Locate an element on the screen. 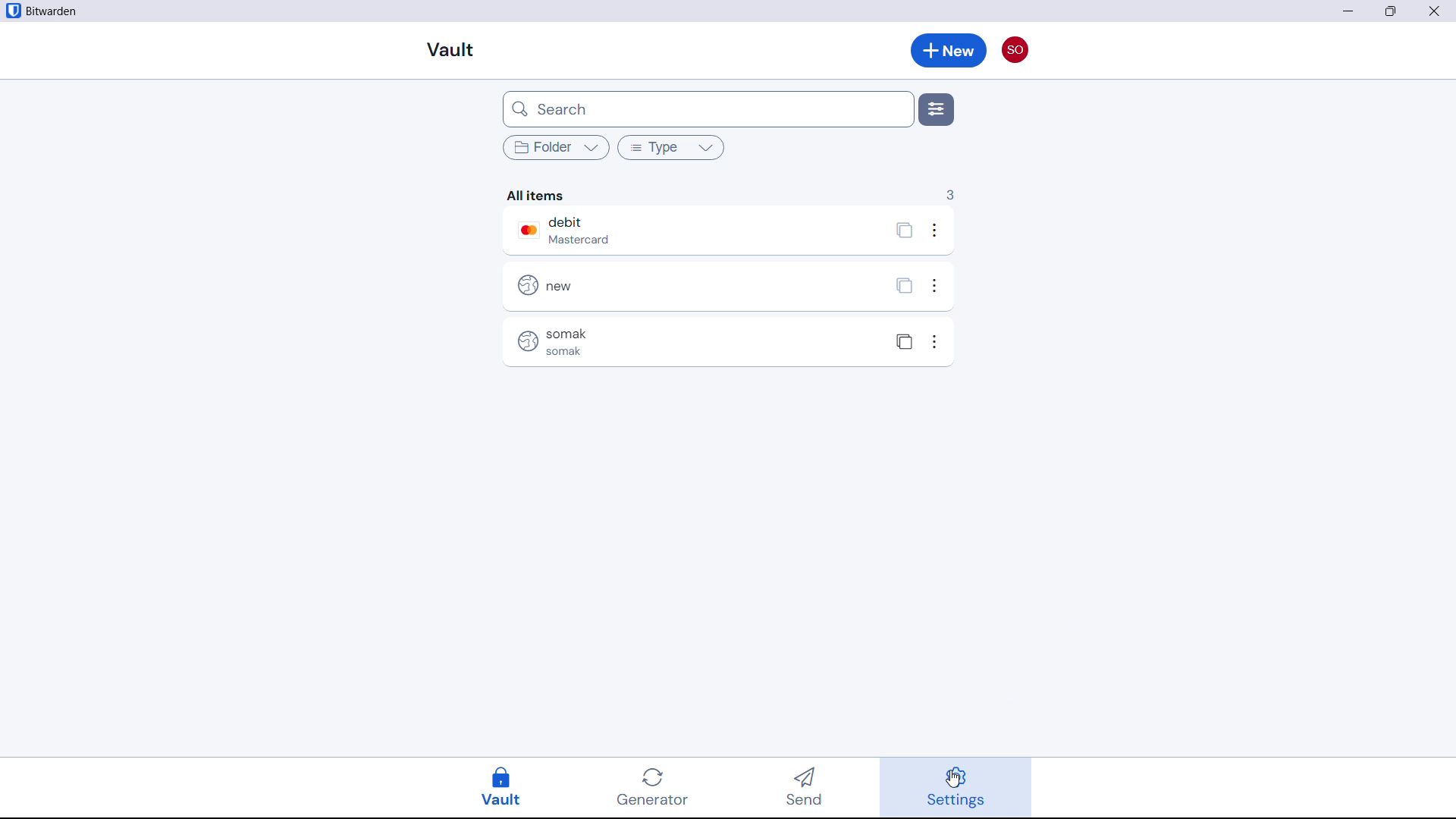  type  is located at coordinates (671, 146).